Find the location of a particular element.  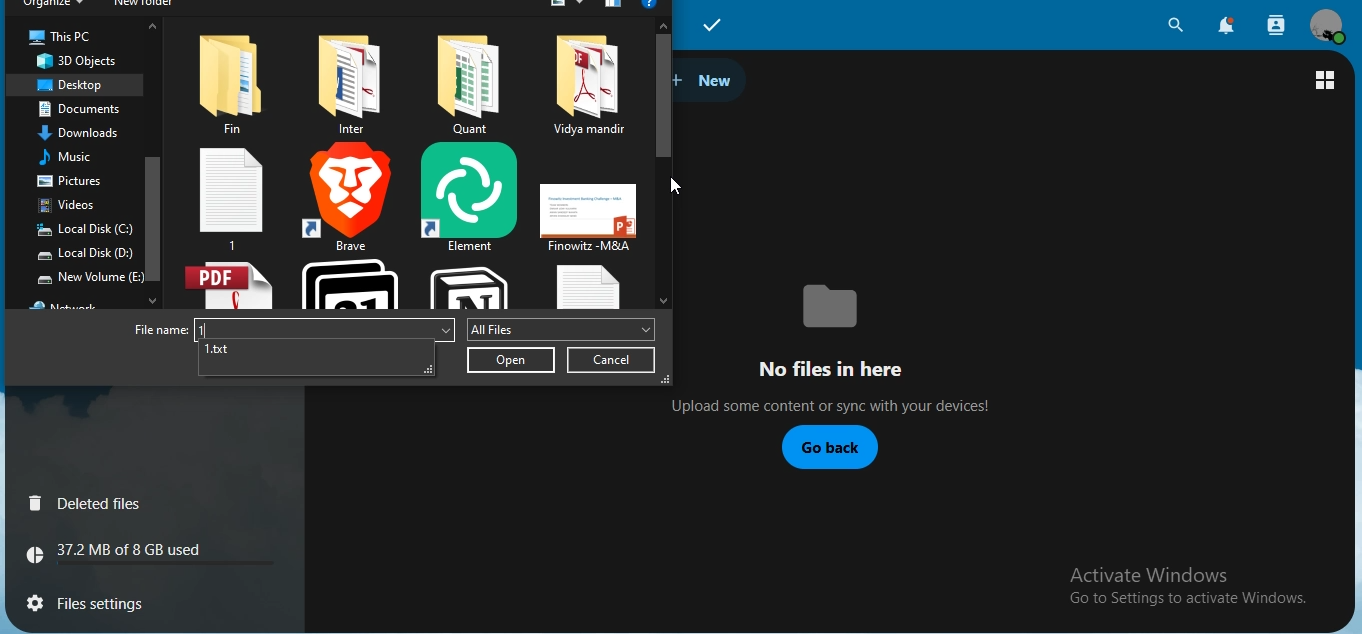

all files is located at coordinates (564, 330).